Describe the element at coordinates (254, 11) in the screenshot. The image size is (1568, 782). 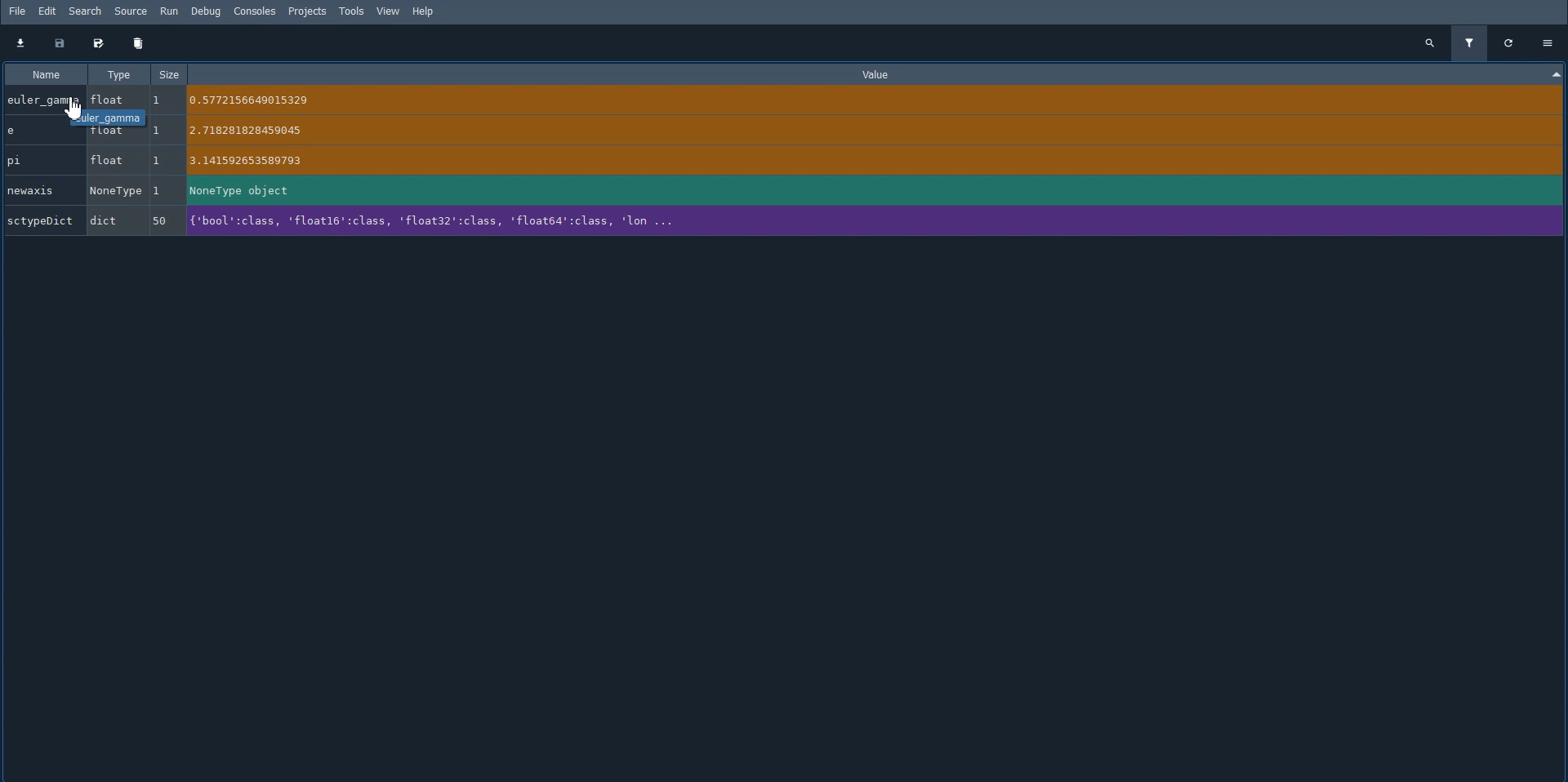
I see `Consoles` at that location.